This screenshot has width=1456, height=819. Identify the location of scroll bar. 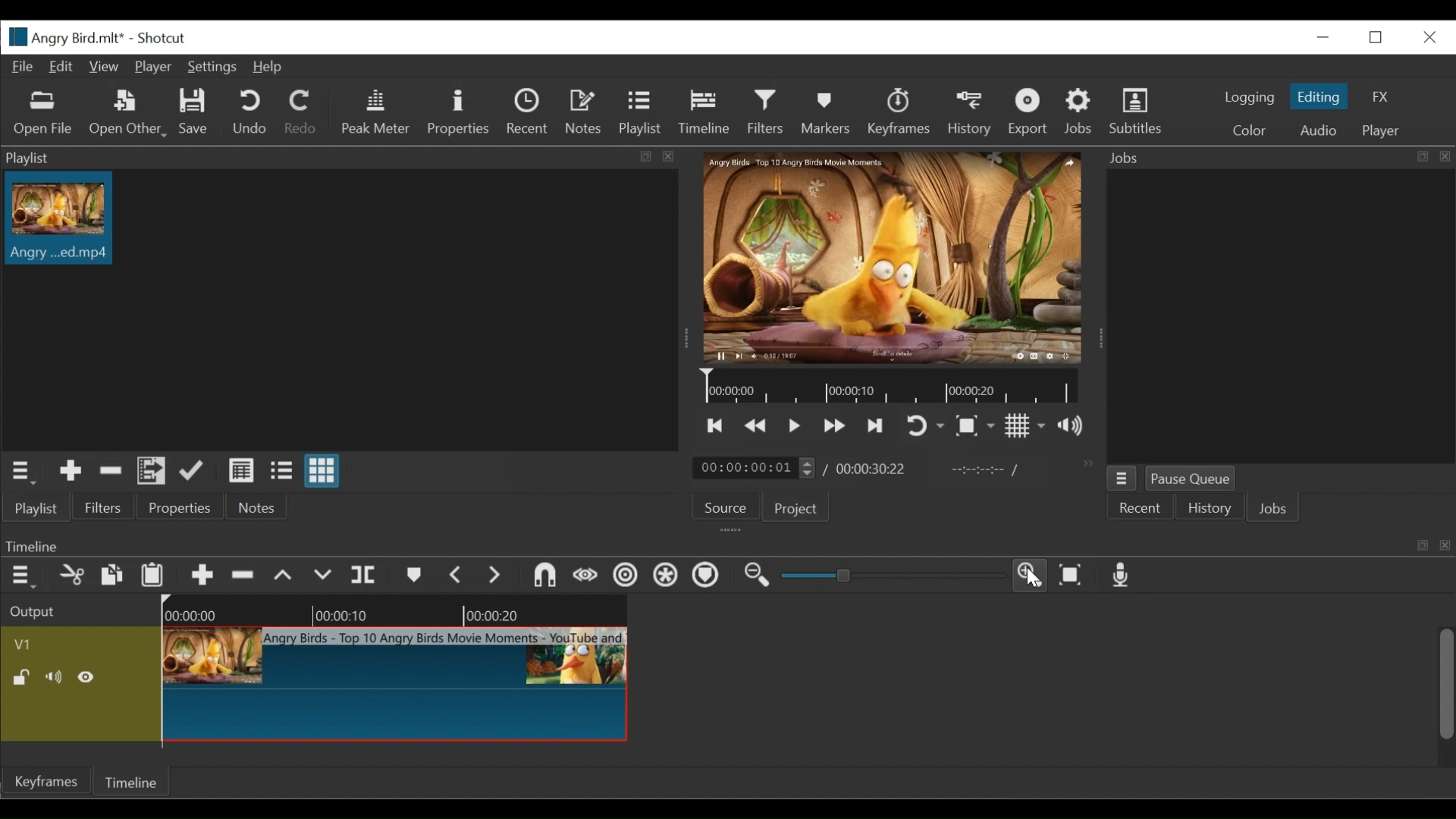
(1447, 685).